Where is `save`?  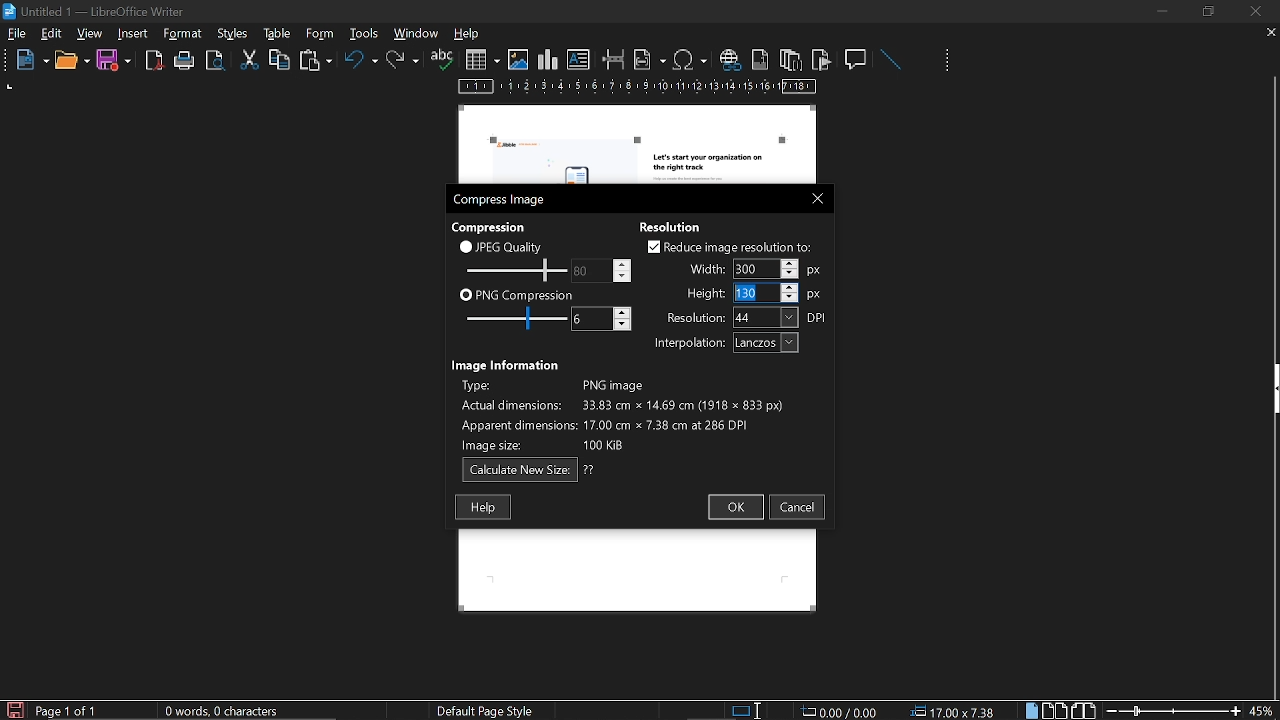 save is located at coordinates (14, 709).